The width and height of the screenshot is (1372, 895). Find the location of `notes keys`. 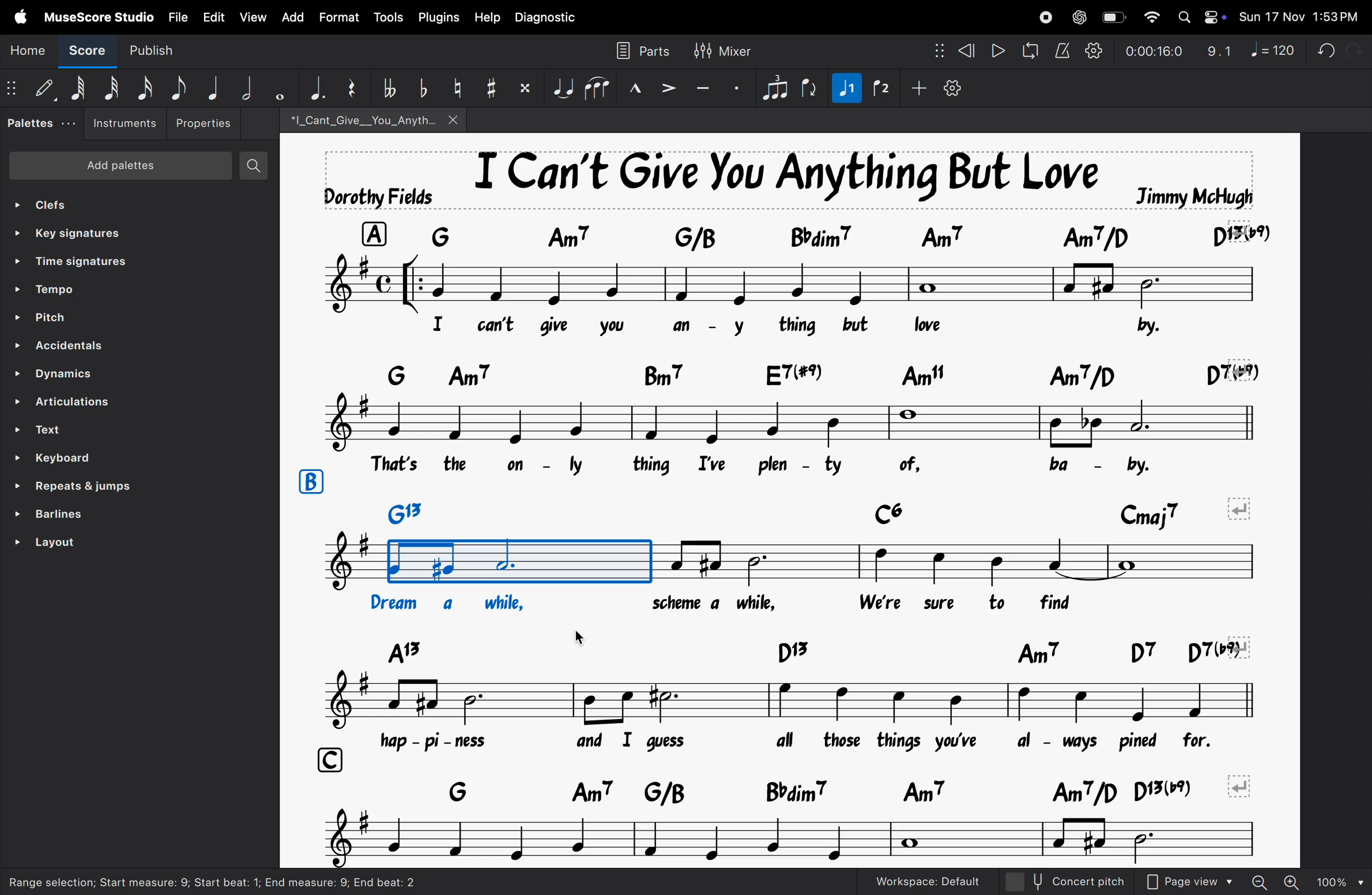

notes keys is located at coordinates (805, 789).